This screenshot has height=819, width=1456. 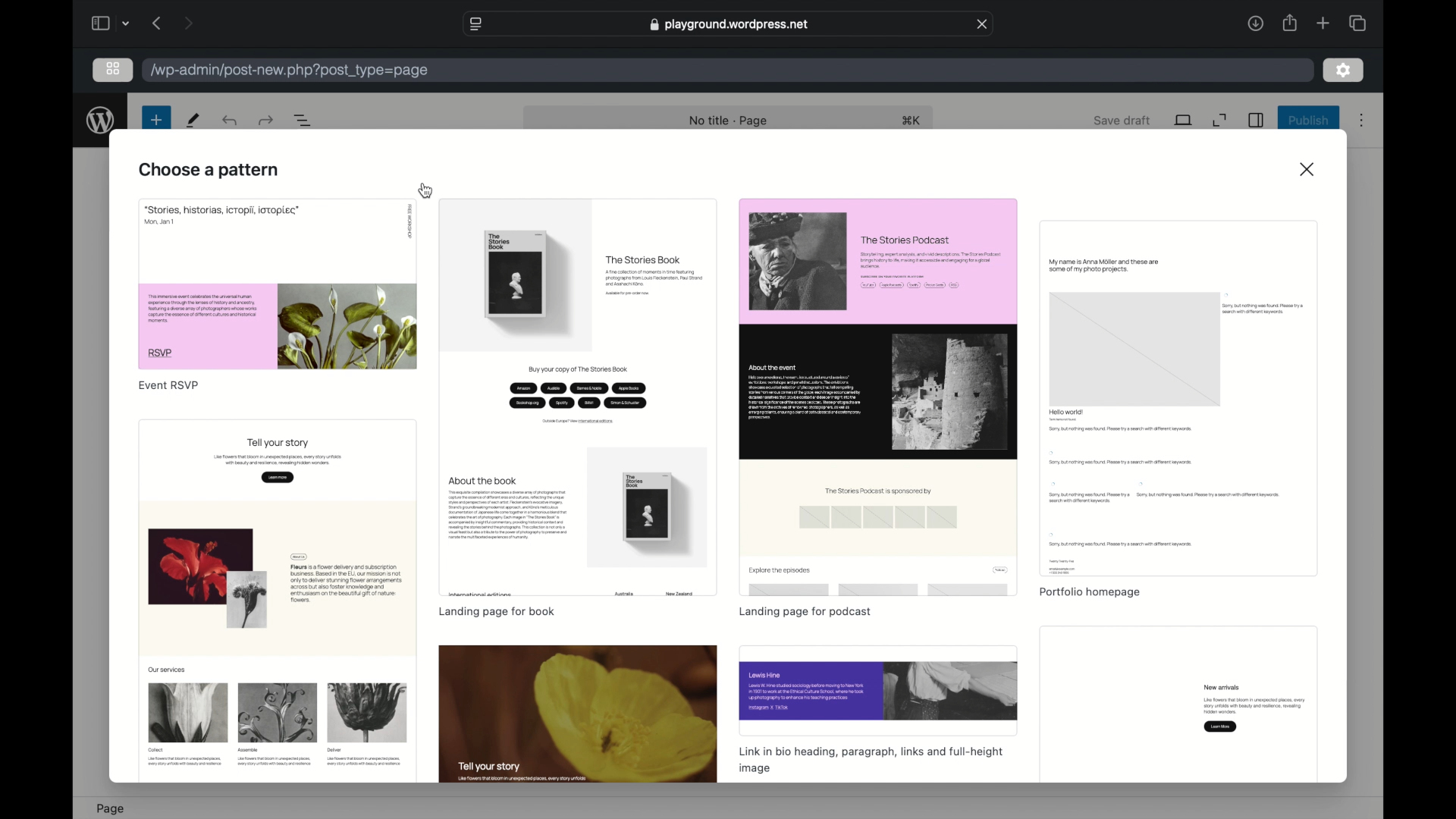 What do you see at coordinates (1256, 120) in the screenshot?
I see `sidebar` at bounding box center [1256, 120].